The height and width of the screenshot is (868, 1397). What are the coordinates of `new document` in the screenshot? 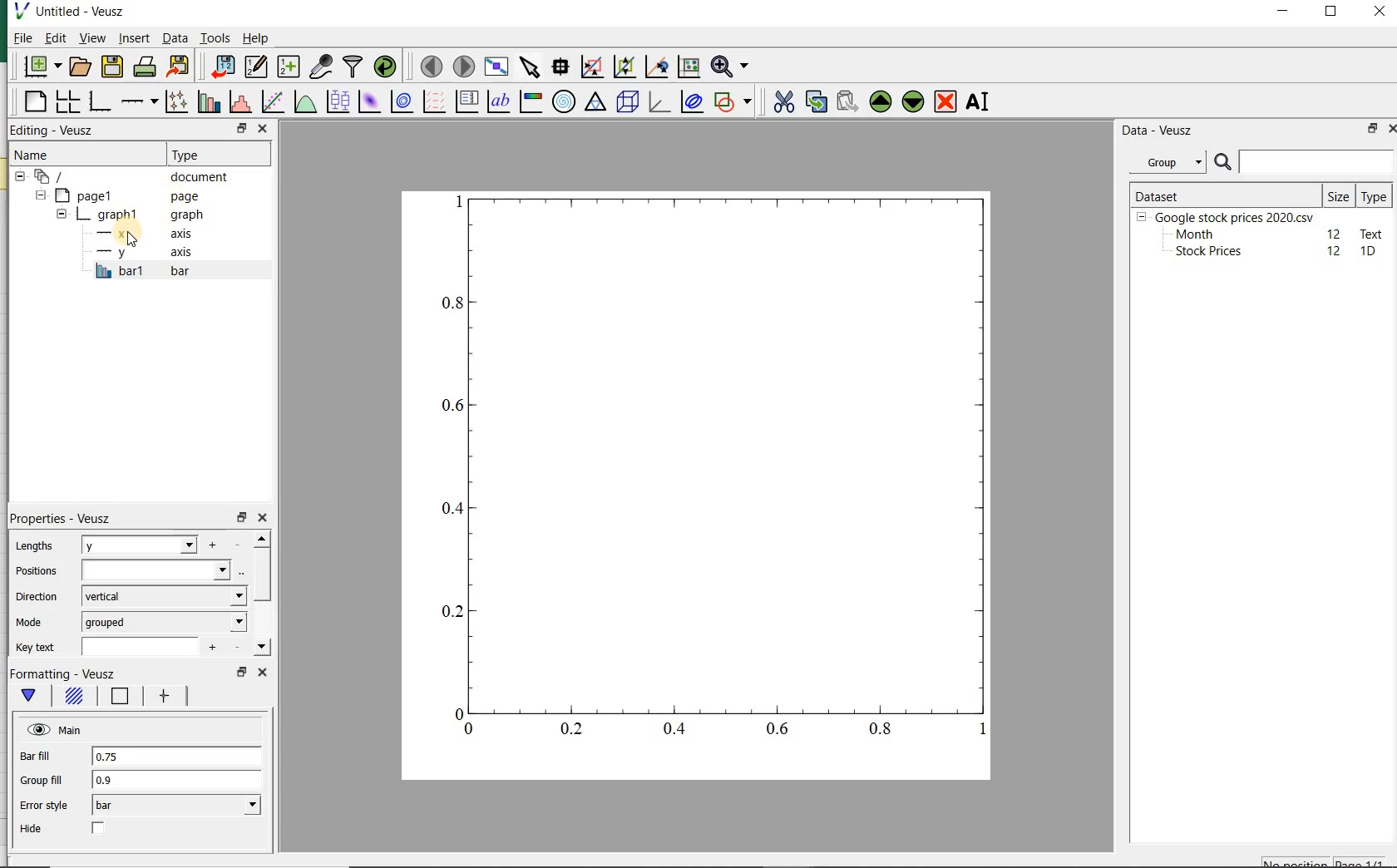 It's located at (42, 67).